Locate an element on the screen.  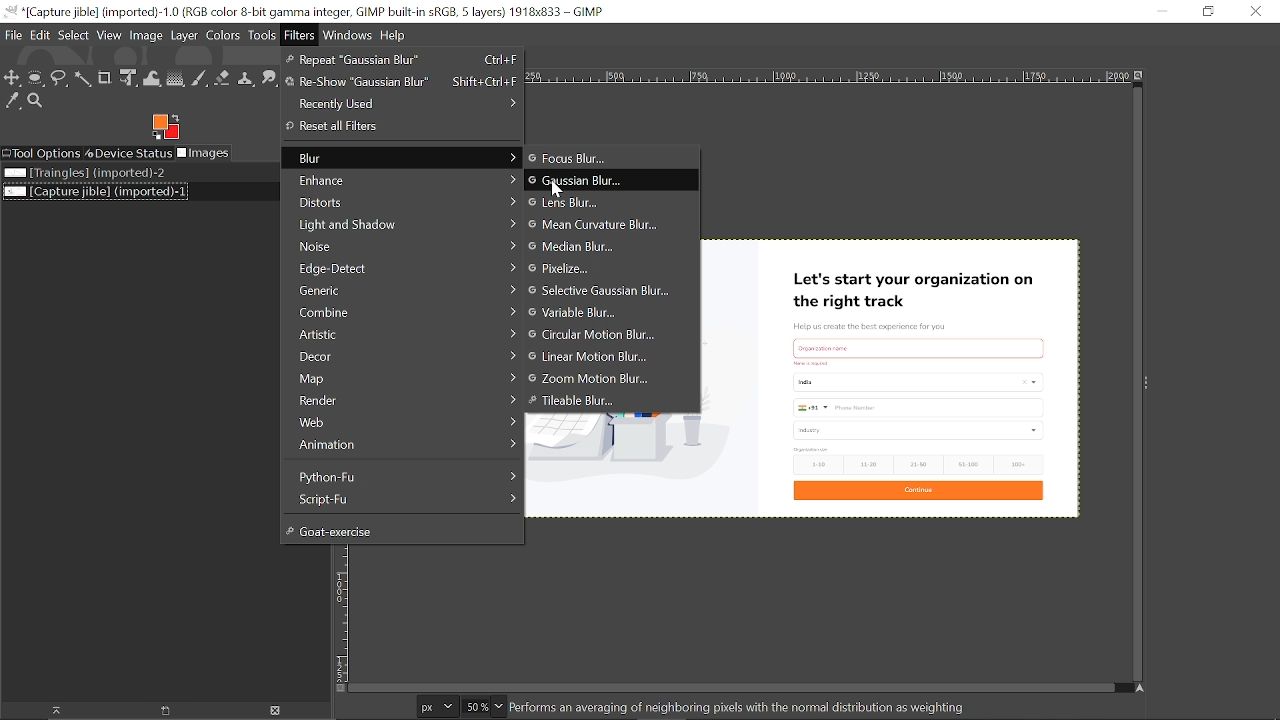
Enhance is located at coordinates (401, 179).